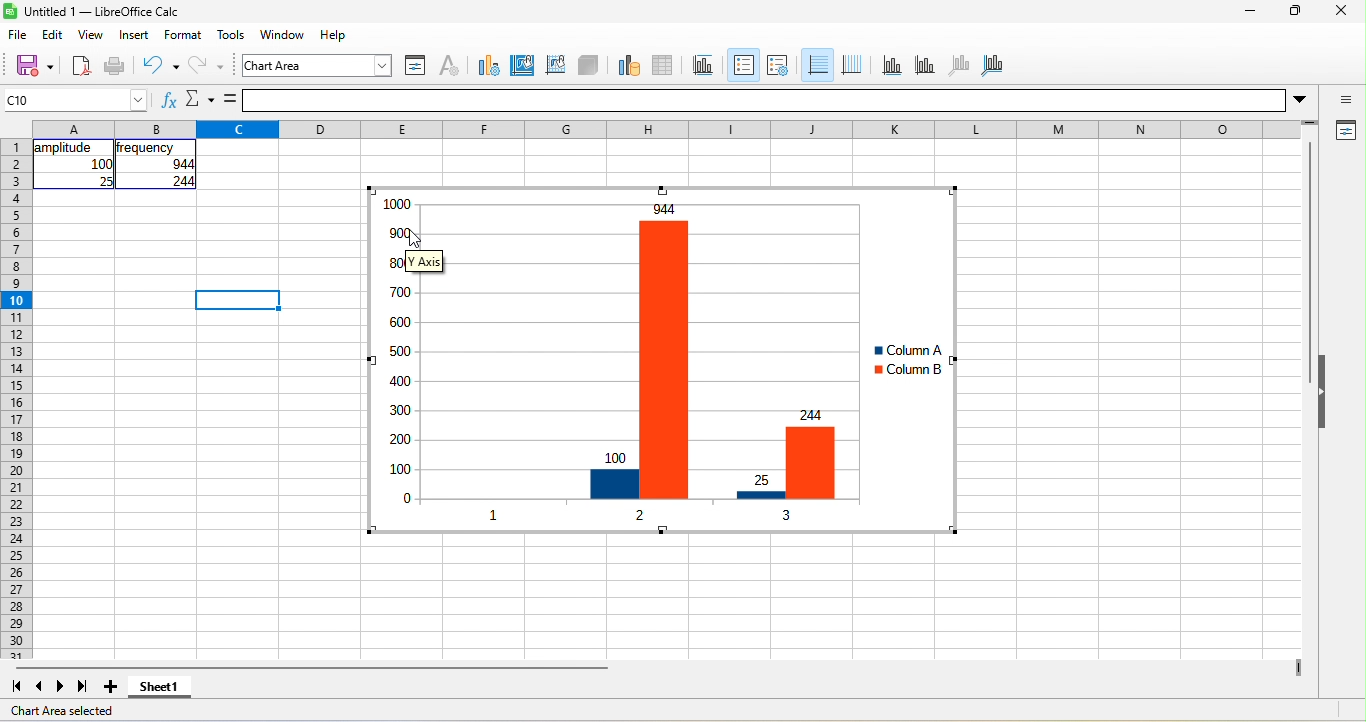  What do you see at coordinates (65, 148) in the screenshot?
I see `amplitude ` at bounding box center [65, 148].